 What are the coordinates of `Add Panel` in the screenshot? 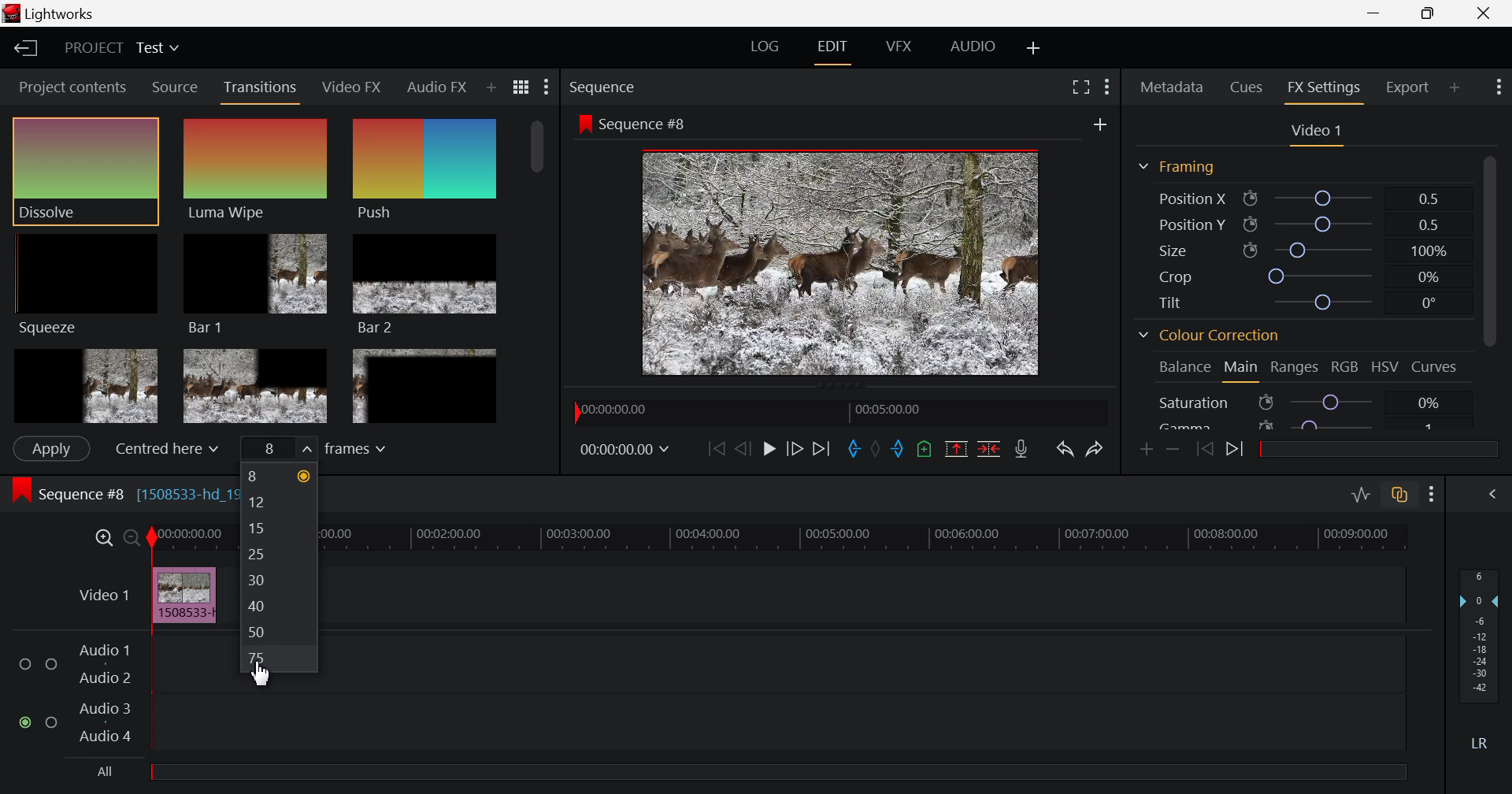 It's located at (1454, 86).